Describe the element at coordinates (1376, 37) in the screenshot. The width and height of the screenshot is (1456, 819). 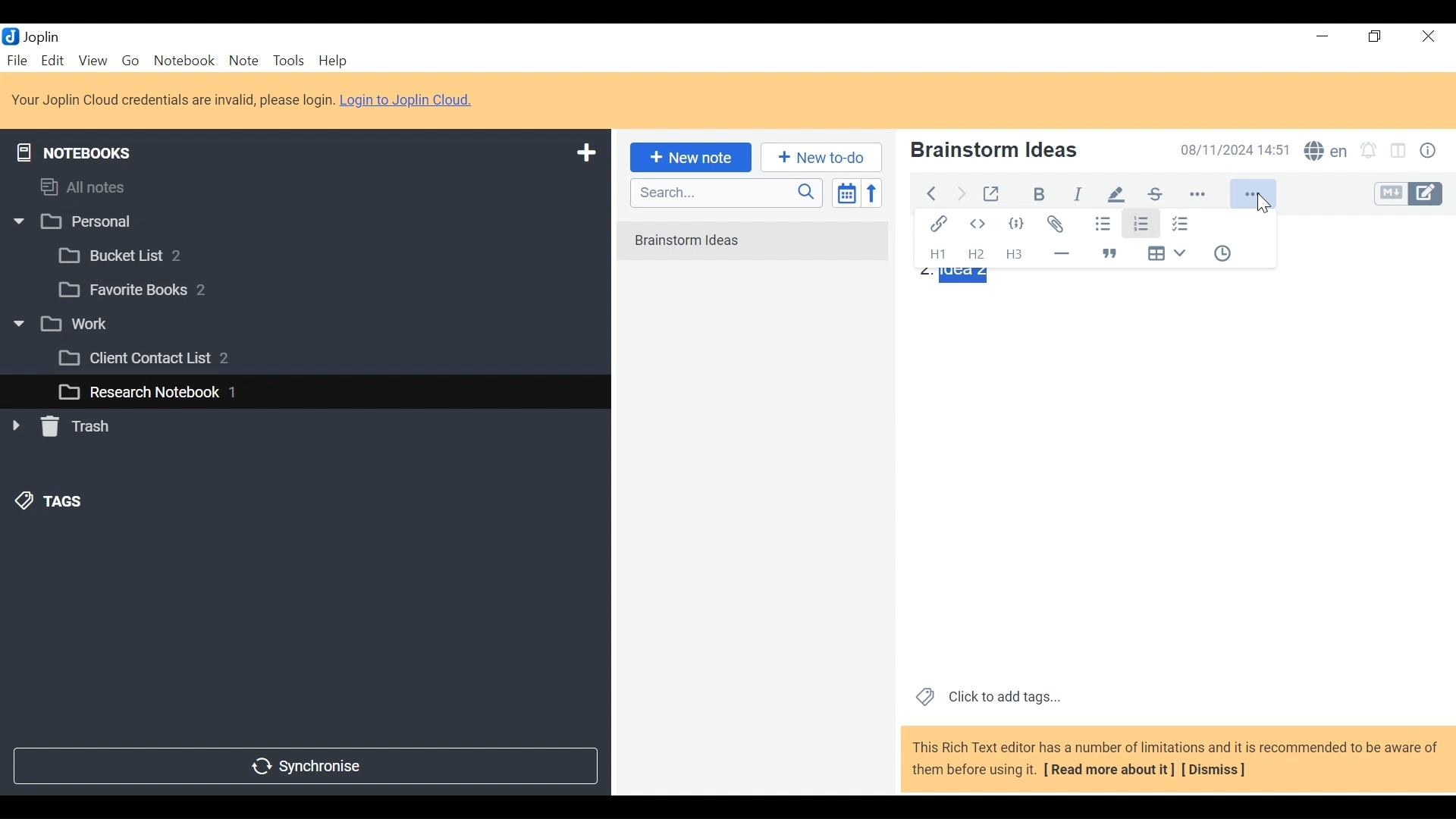
I see `Restore` at that location.